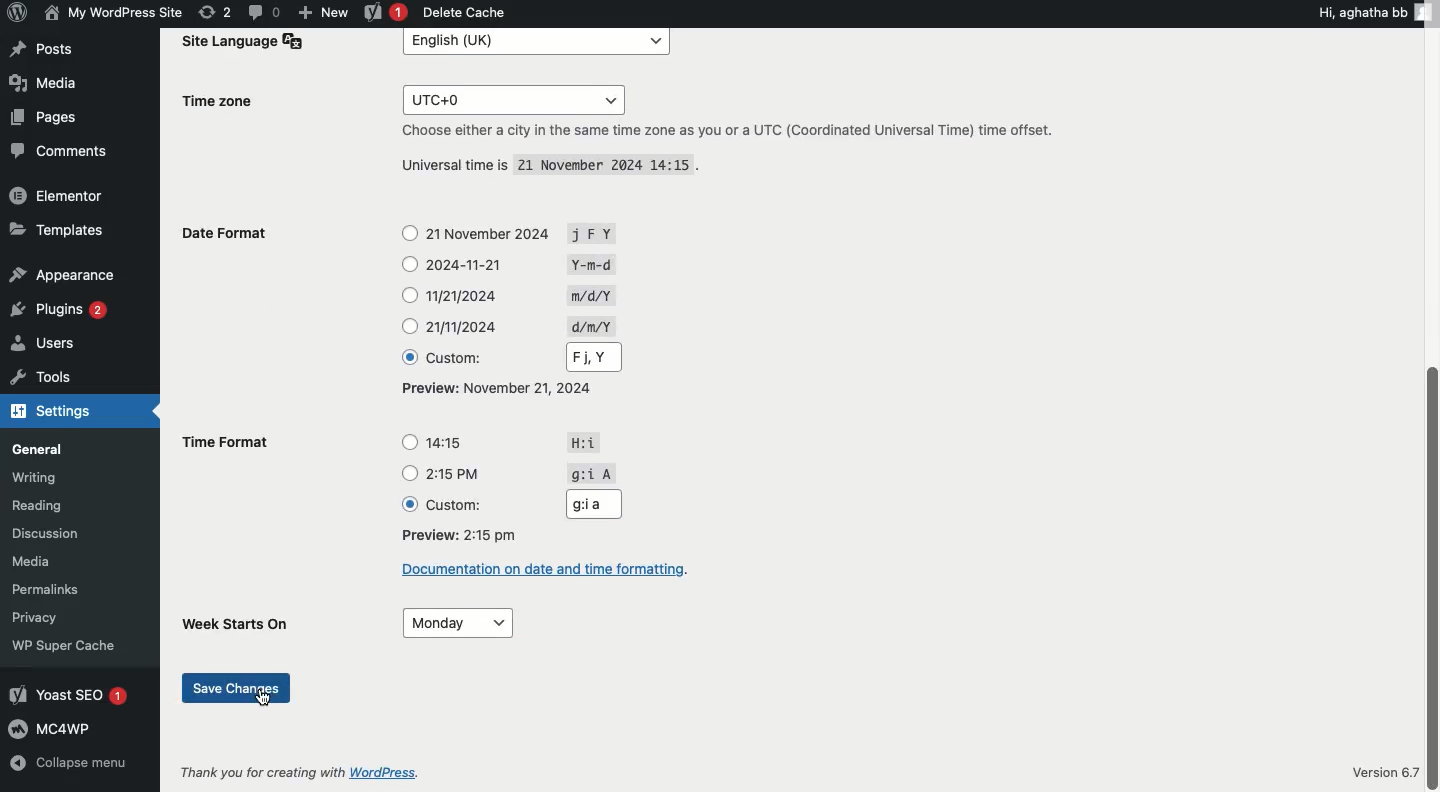 This screenshot has width=1440, height=792. I want to click on Custom: g:i a, so click(506, 503).